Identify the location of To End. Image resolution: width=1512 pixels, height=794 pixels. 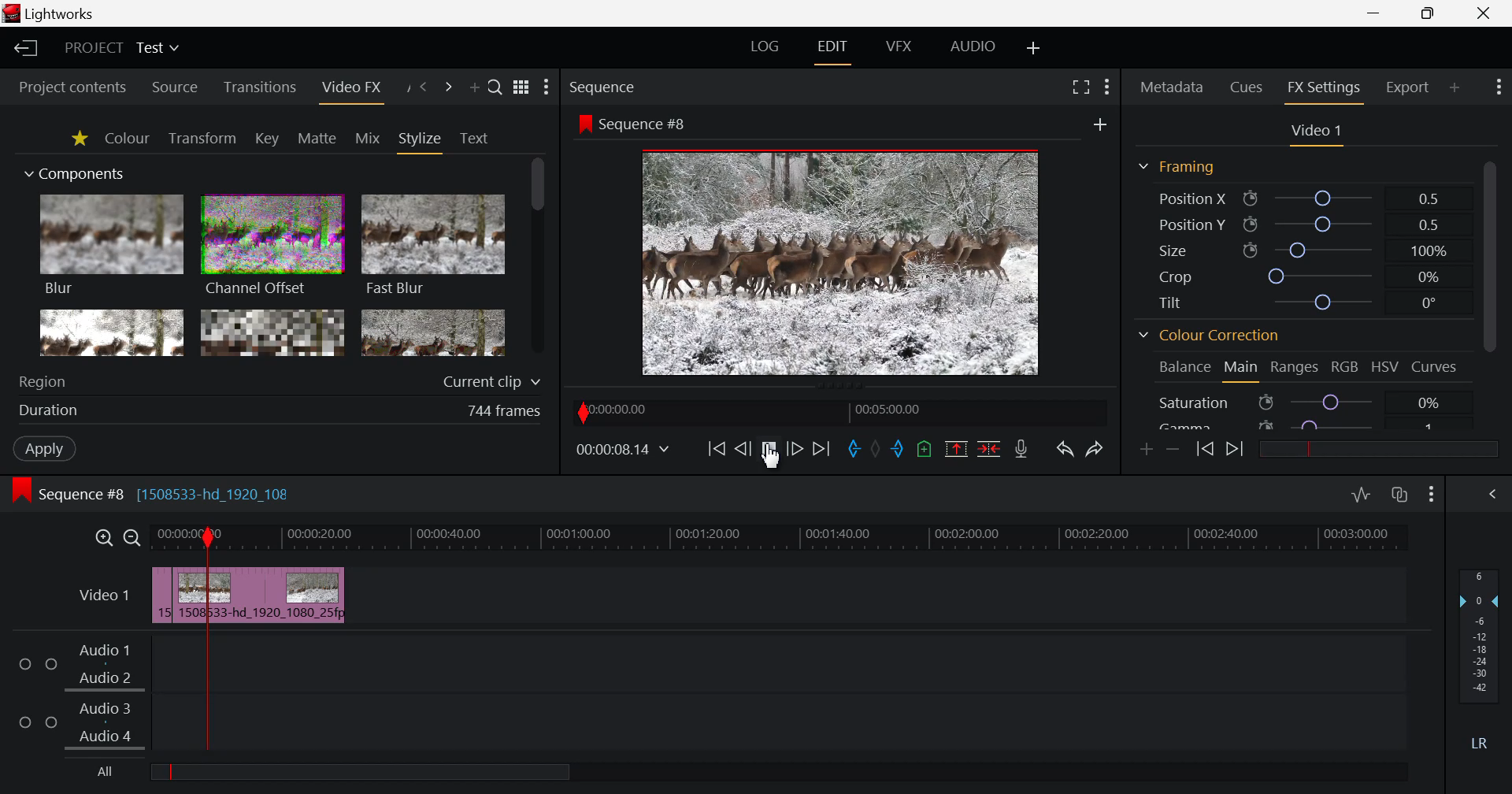
(821, 450).